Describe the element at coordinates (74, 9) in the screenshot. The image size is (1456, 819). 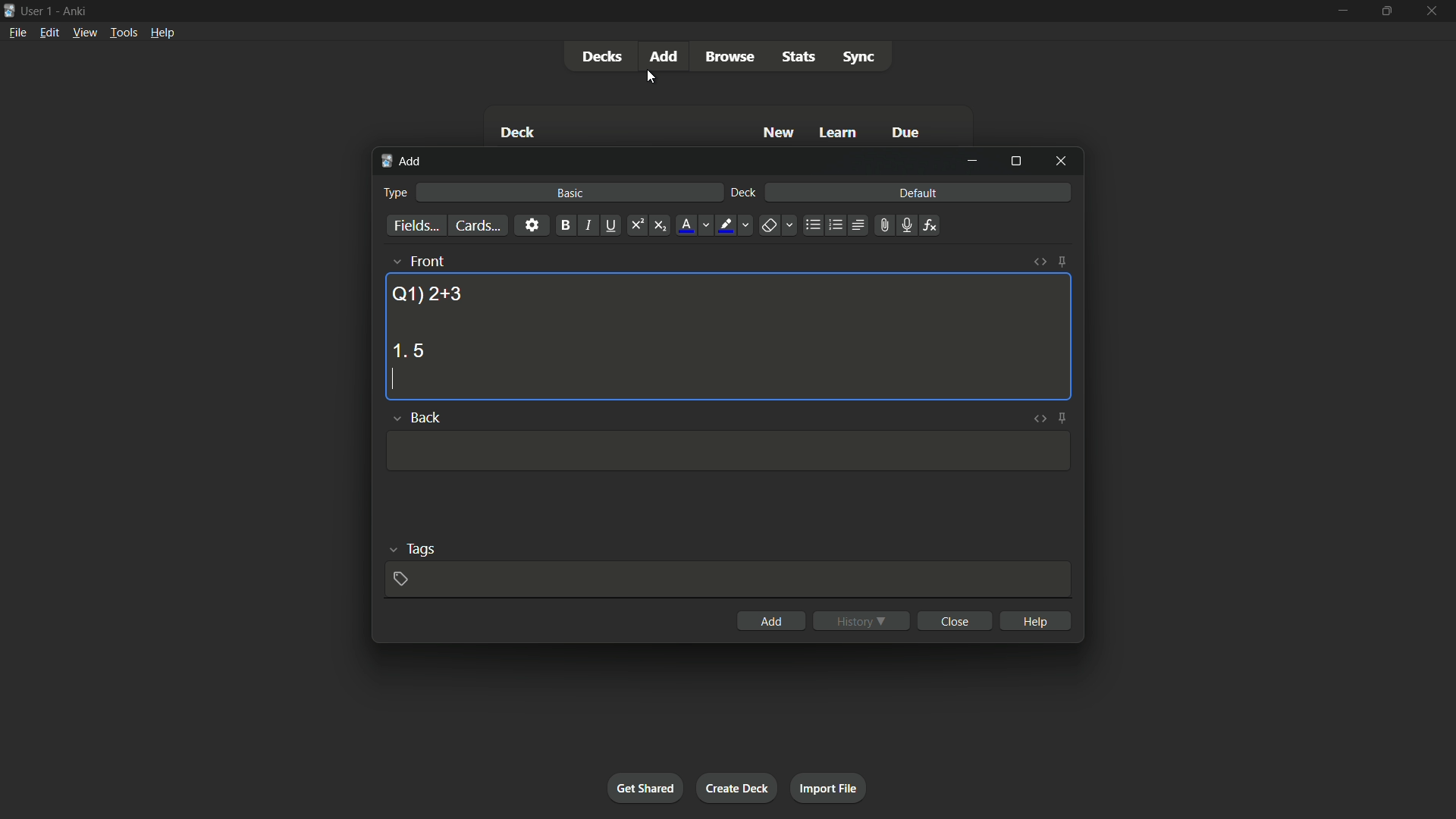
I see `app name` at that location.